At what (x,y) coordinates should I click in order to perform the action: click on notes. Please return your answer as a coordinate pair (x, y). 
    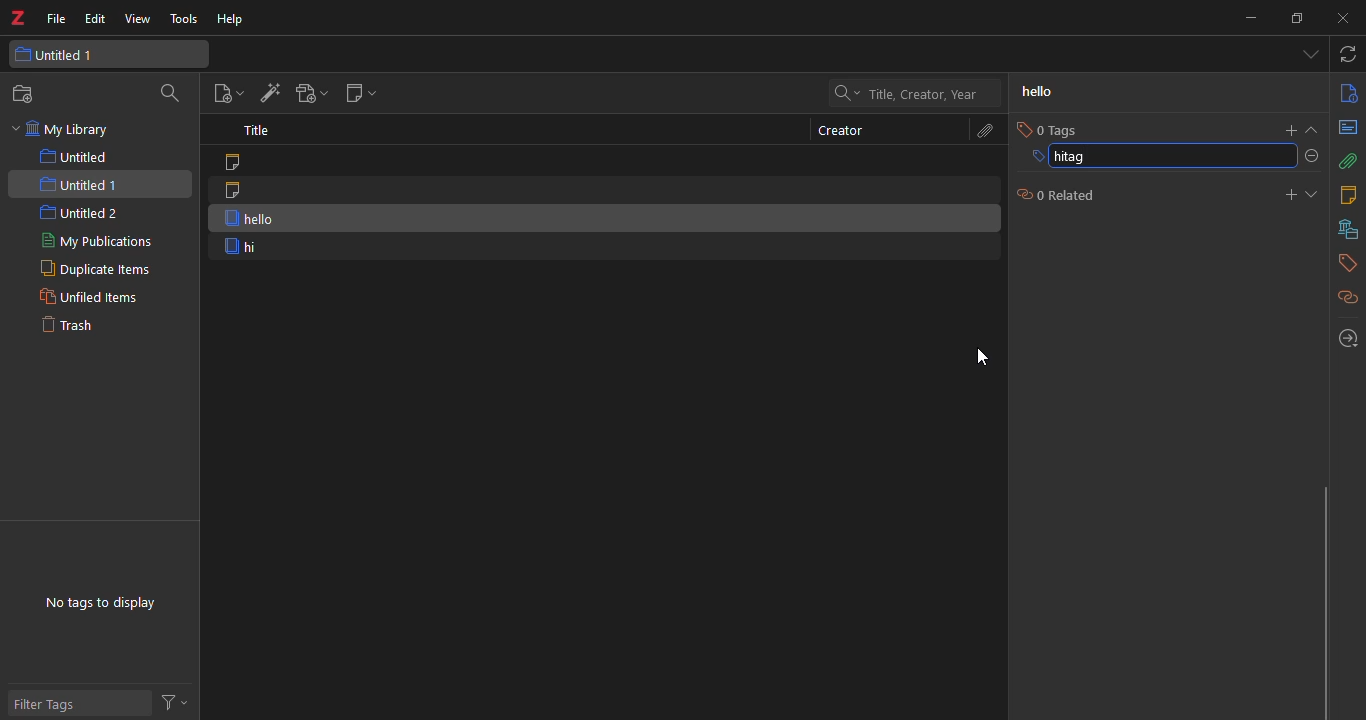
    Looking at the image, I should click on (1346, 195).